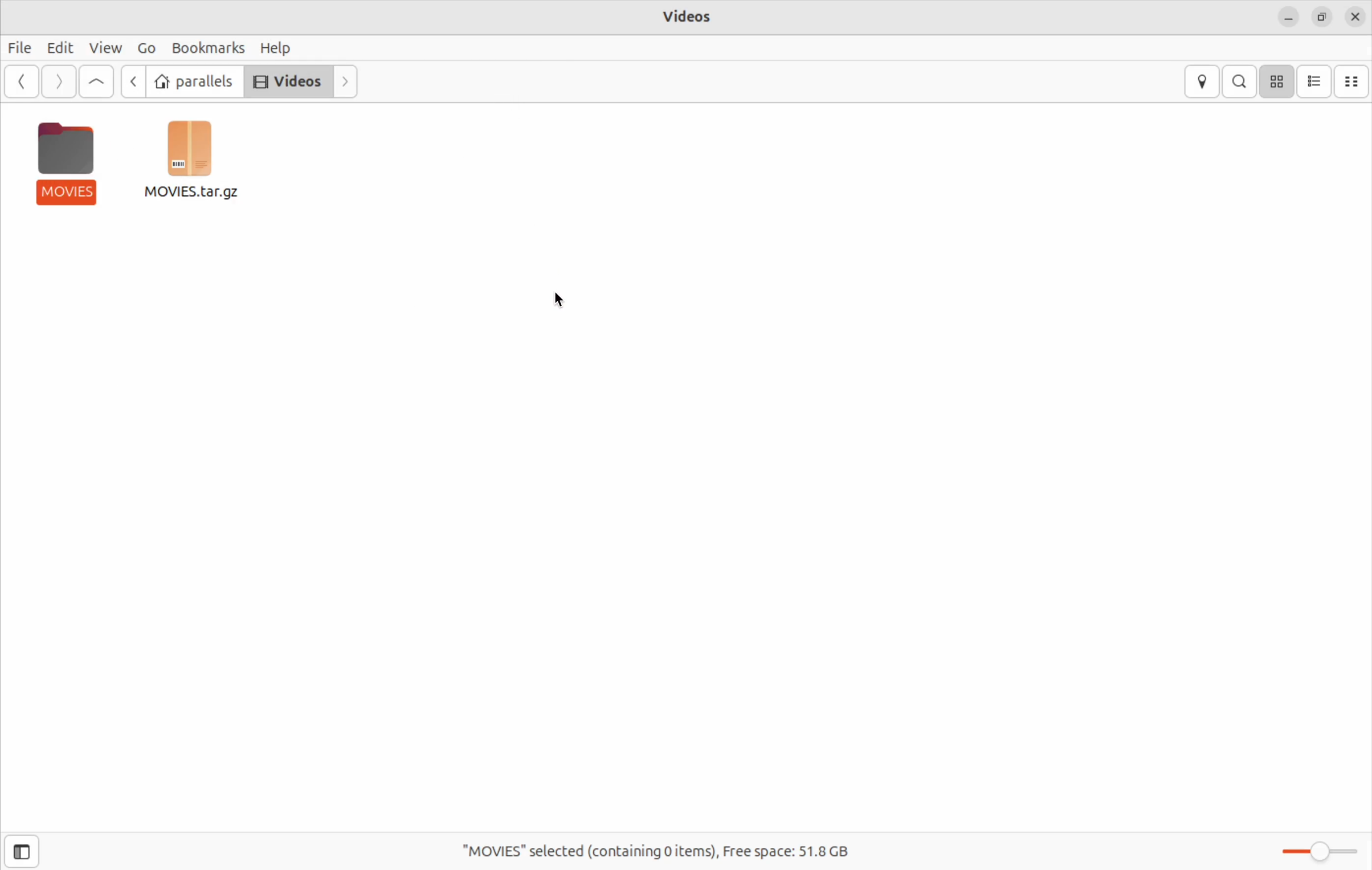 This screenshot has width=1372, height=870. I want to click on movies, so click(69, 160).